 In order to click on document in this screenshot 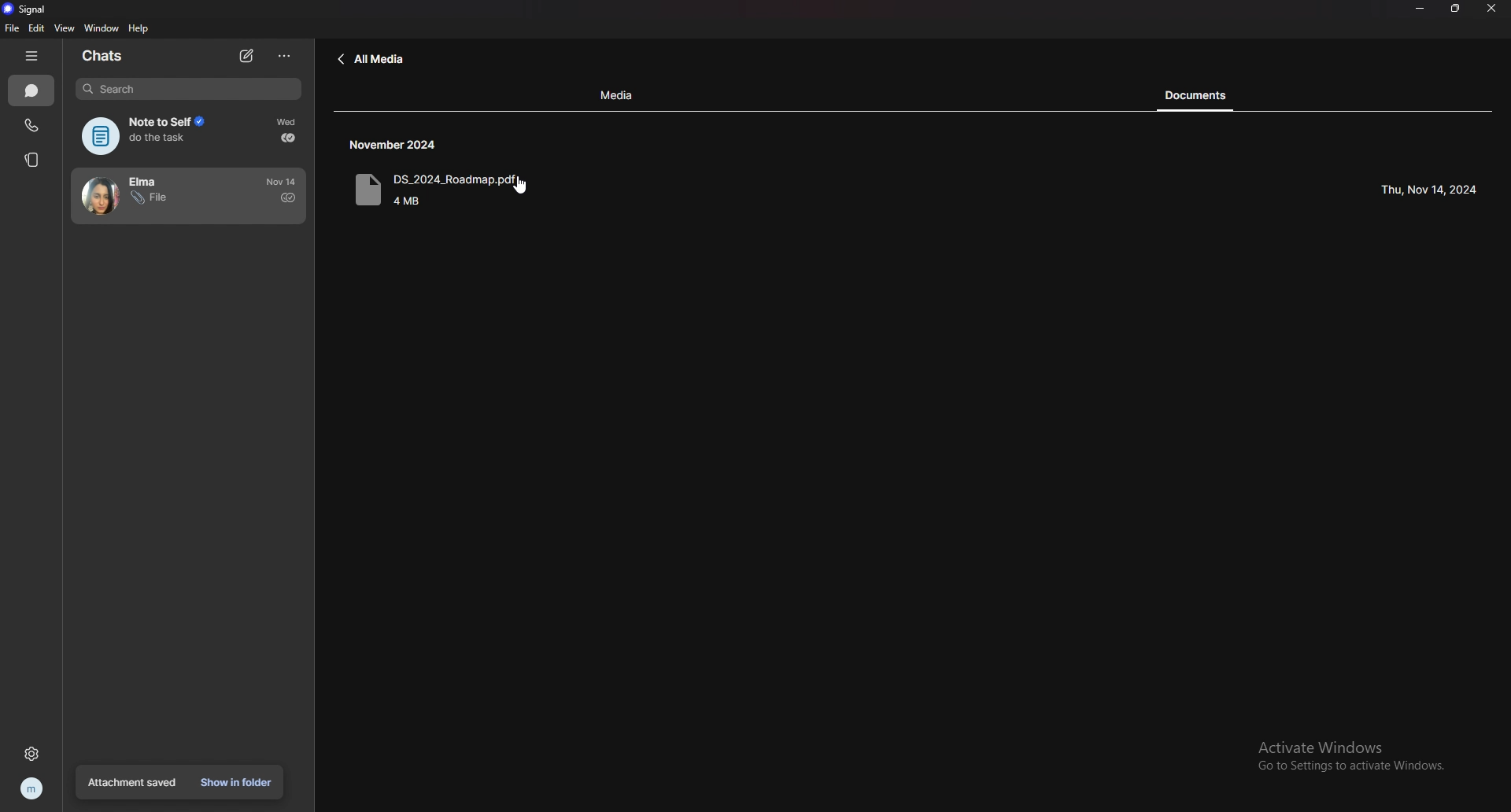, I will do `click(1205, 95)`.